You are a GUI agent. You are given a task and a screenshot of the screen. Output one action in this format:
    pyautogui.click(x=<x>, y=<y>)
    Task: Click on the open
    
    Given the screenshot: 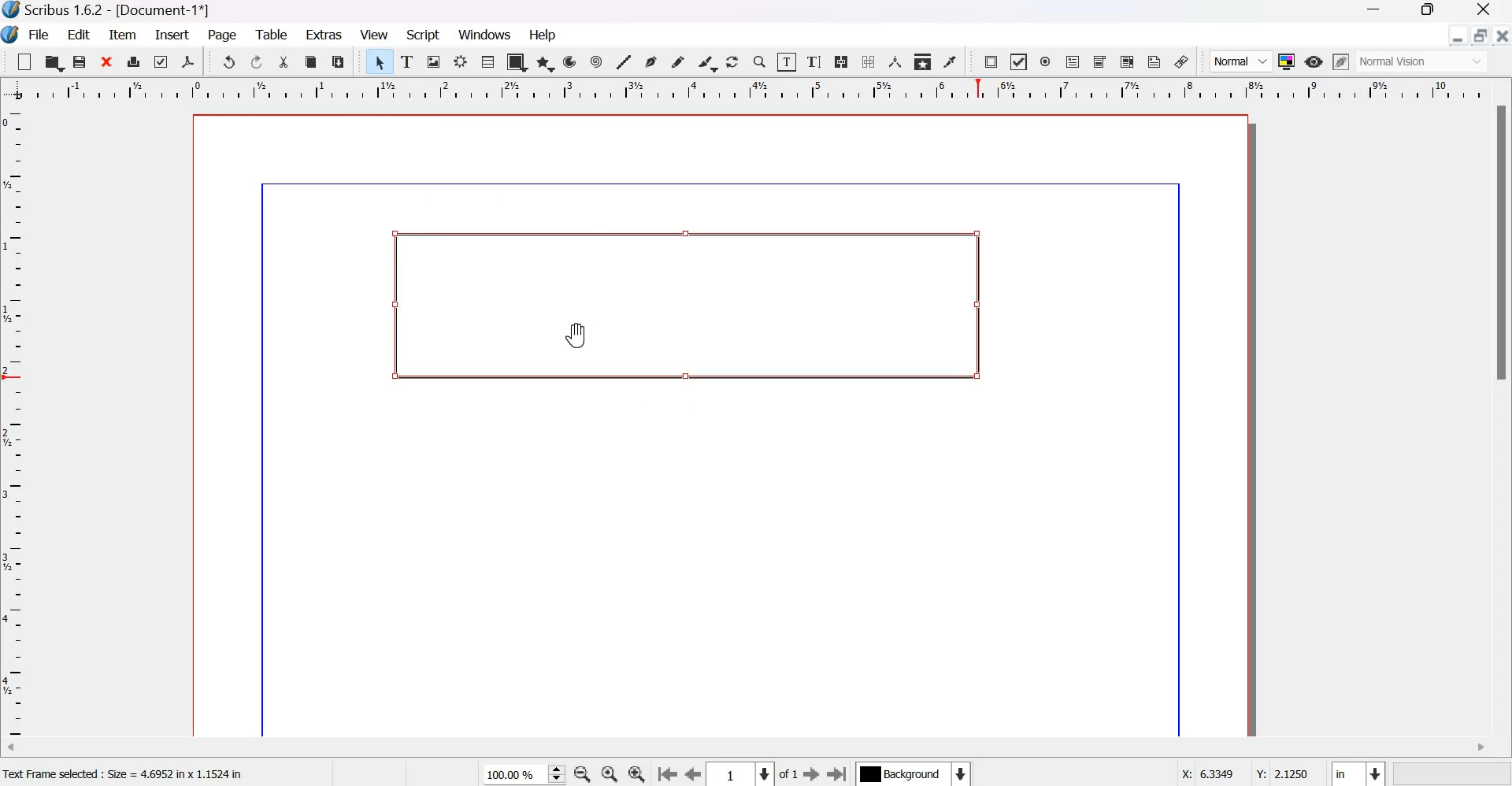 What is the action you would take?
    pyautogui.click(x=53, y=61)
    